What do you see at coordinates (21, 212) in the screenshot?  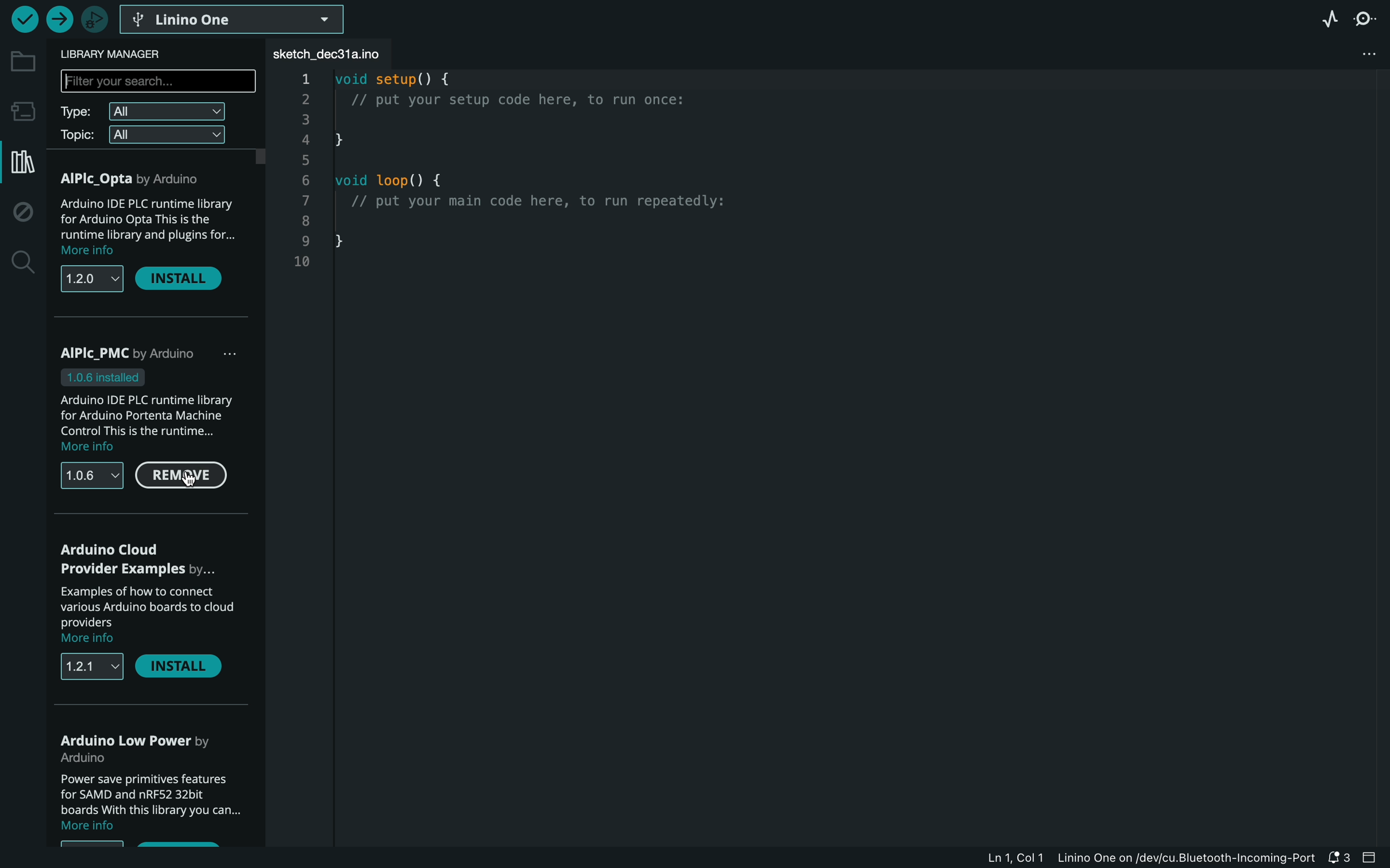 I see `debug` at bounding box center [21, 212].